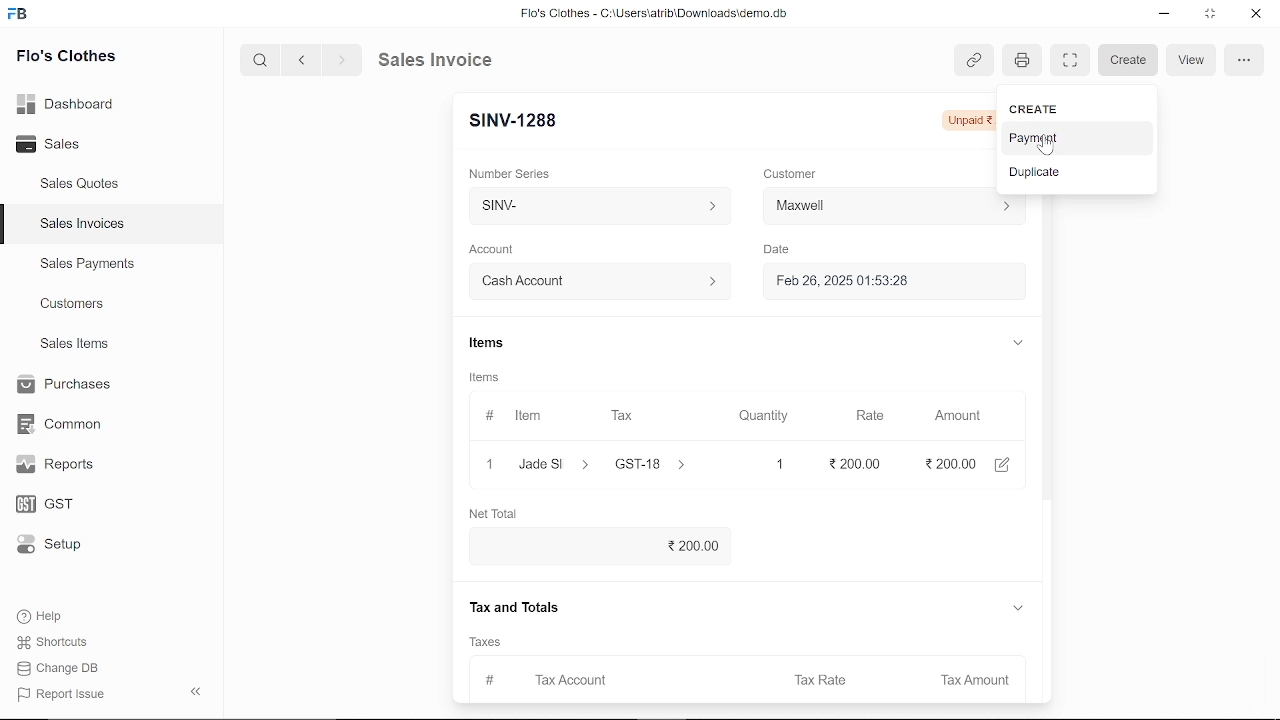  What do you see at coordinates (966, 120) in the screenshot?
I see `Unpaid 236.00` at bounding box center [966, 120].